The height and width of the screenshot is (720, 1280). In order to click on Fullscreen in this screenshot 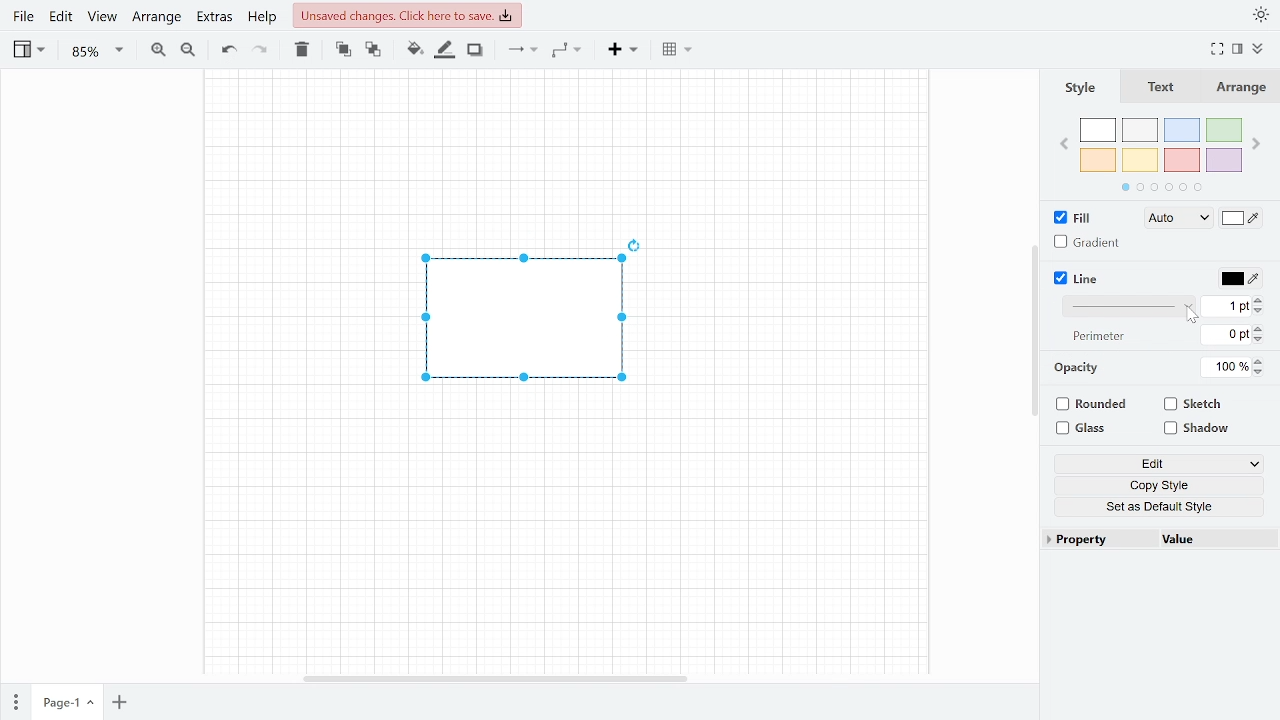, I will do `click(1217, 50)`.